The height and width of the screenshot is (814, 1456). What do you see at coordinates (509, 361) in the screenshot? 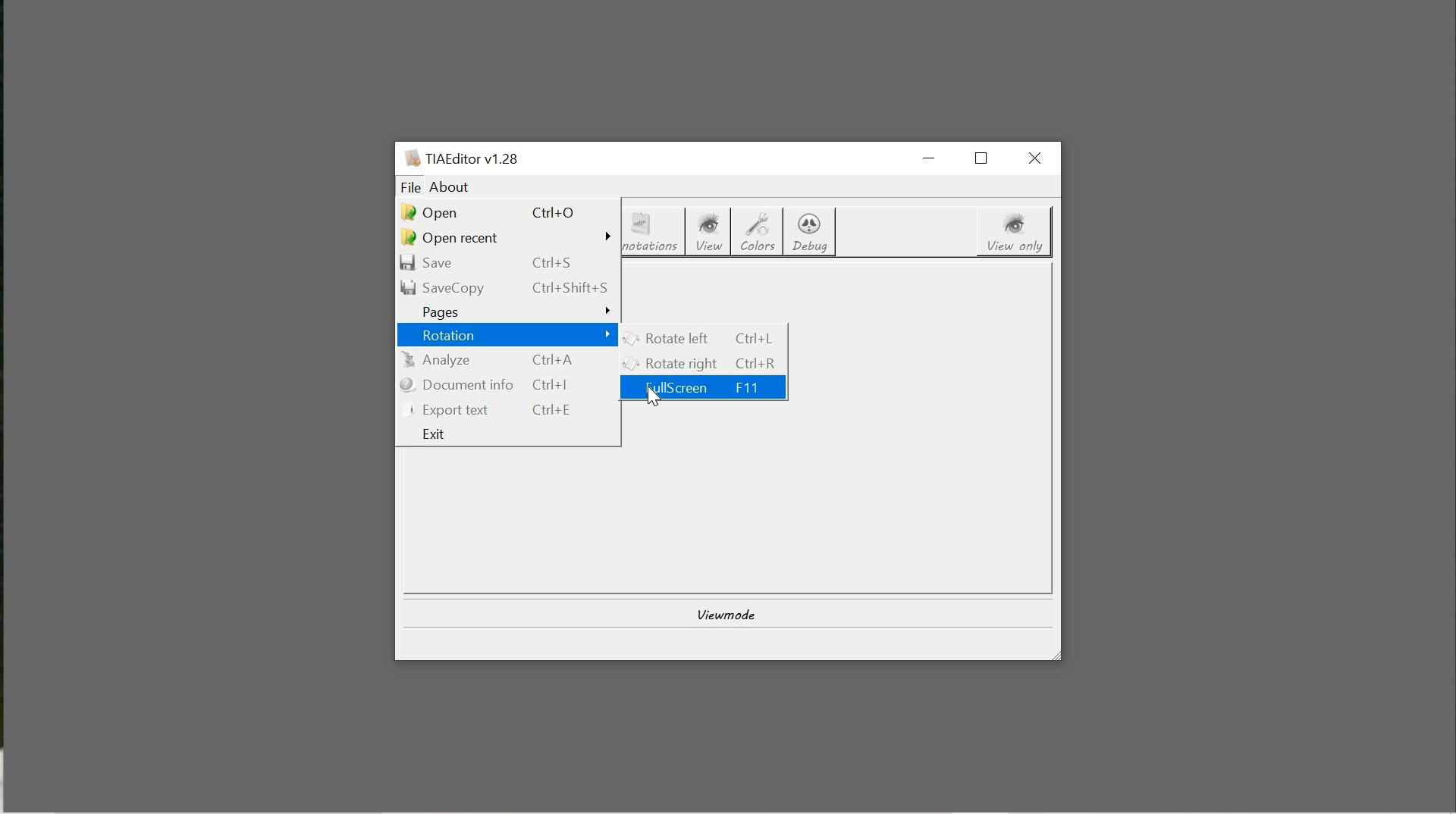
I see `analyze` at bounding box center [509, 361].